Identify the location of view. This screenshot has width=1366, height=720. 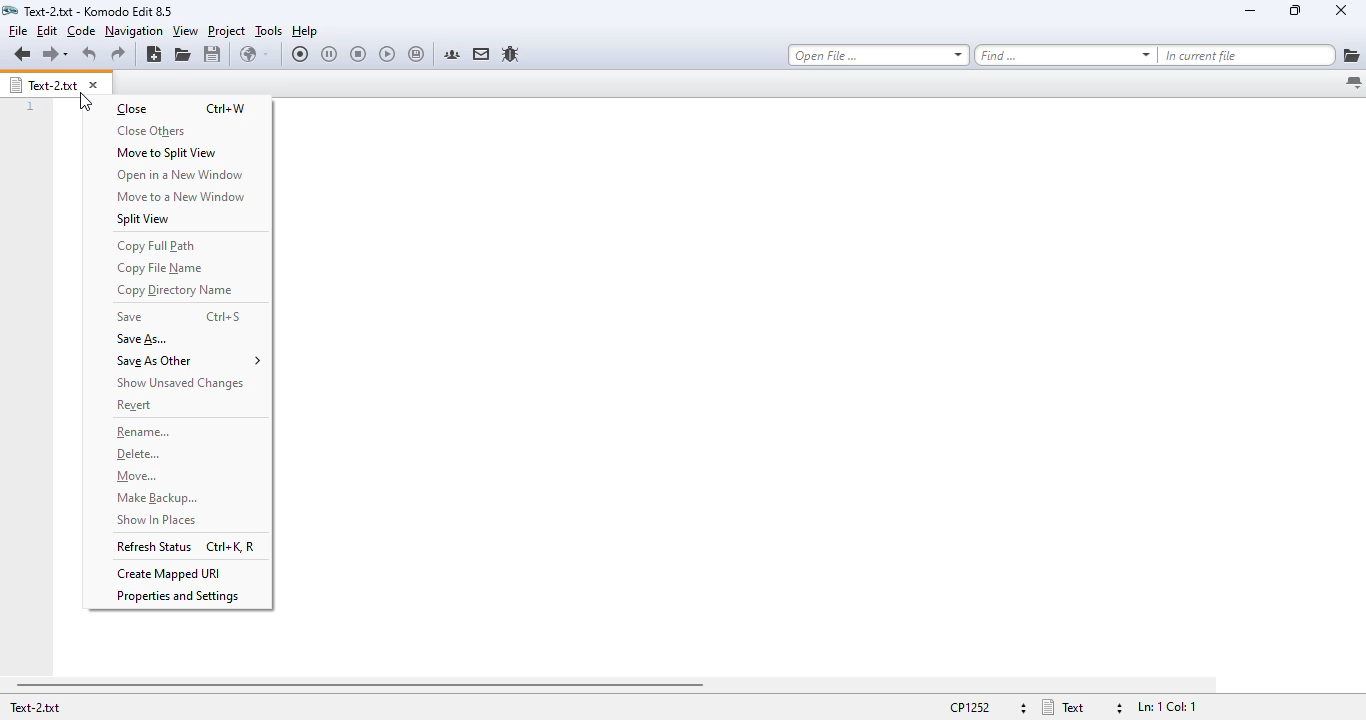
(184, 31).